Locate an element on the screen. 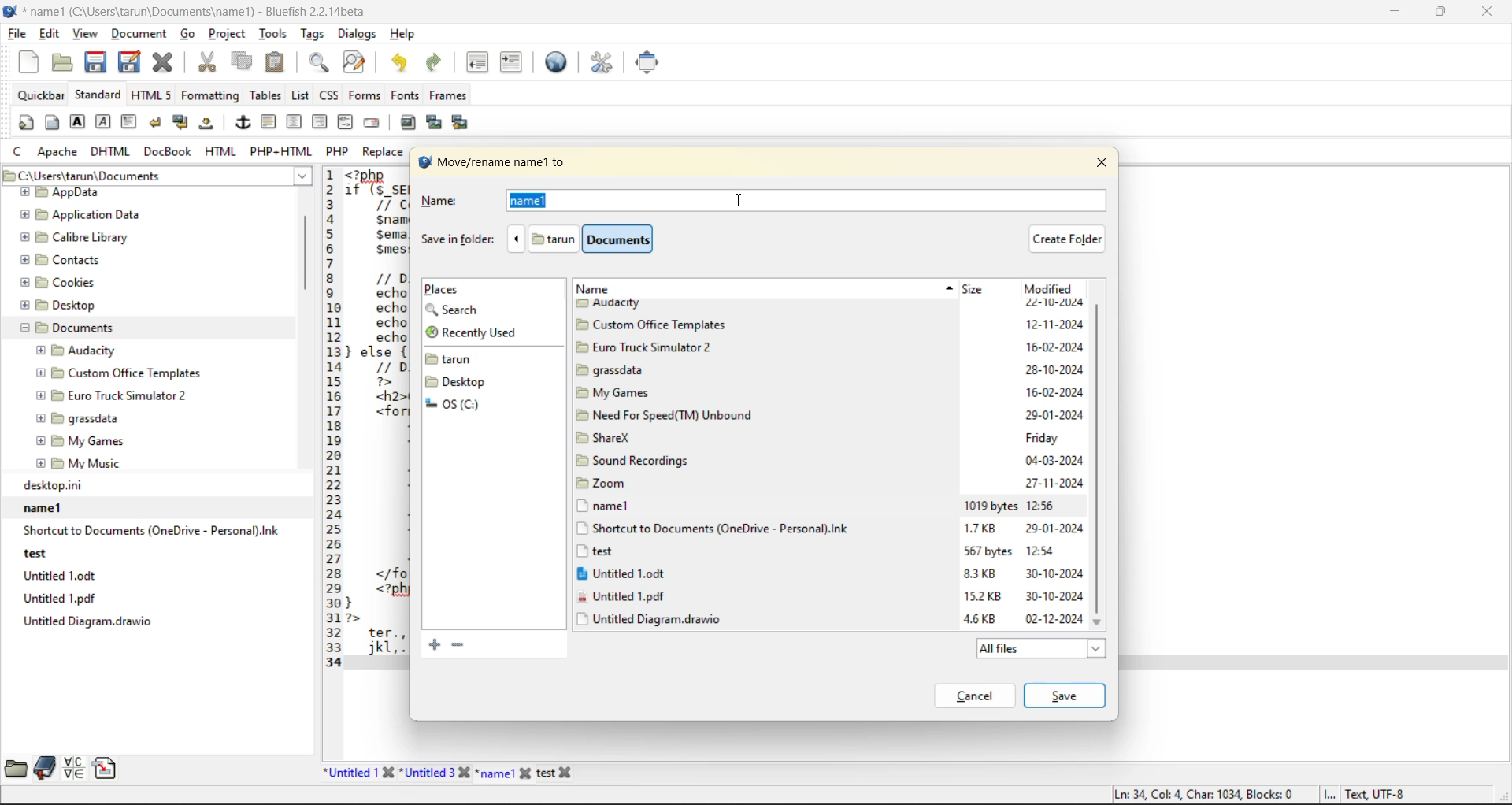 The image size is (1512, 805). code editor is located at coordinates (364, 418).